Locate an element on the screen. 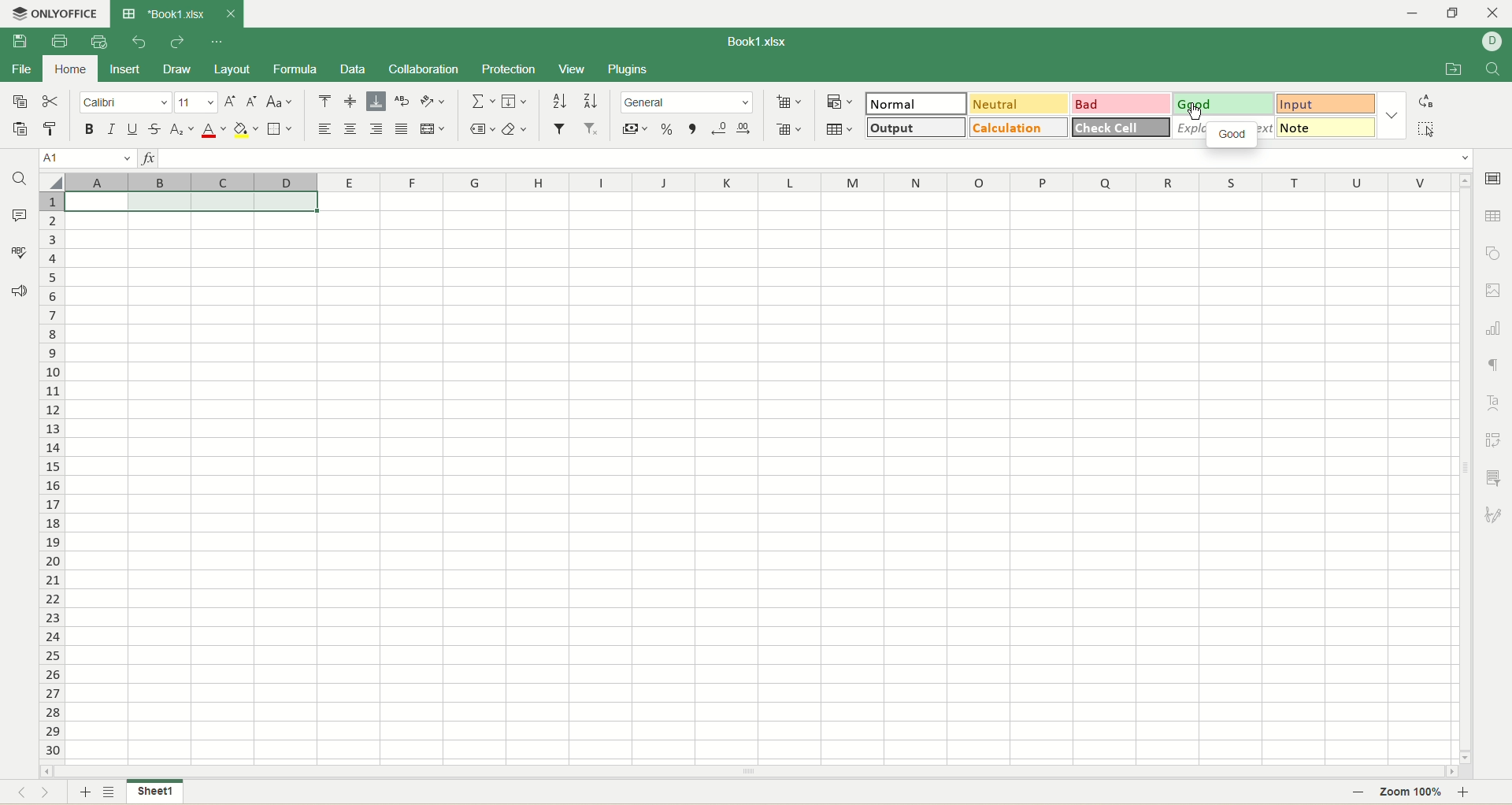 The height and width of the screenshot is (805, 1512). cell settings is located at coordinates (1496, 179).